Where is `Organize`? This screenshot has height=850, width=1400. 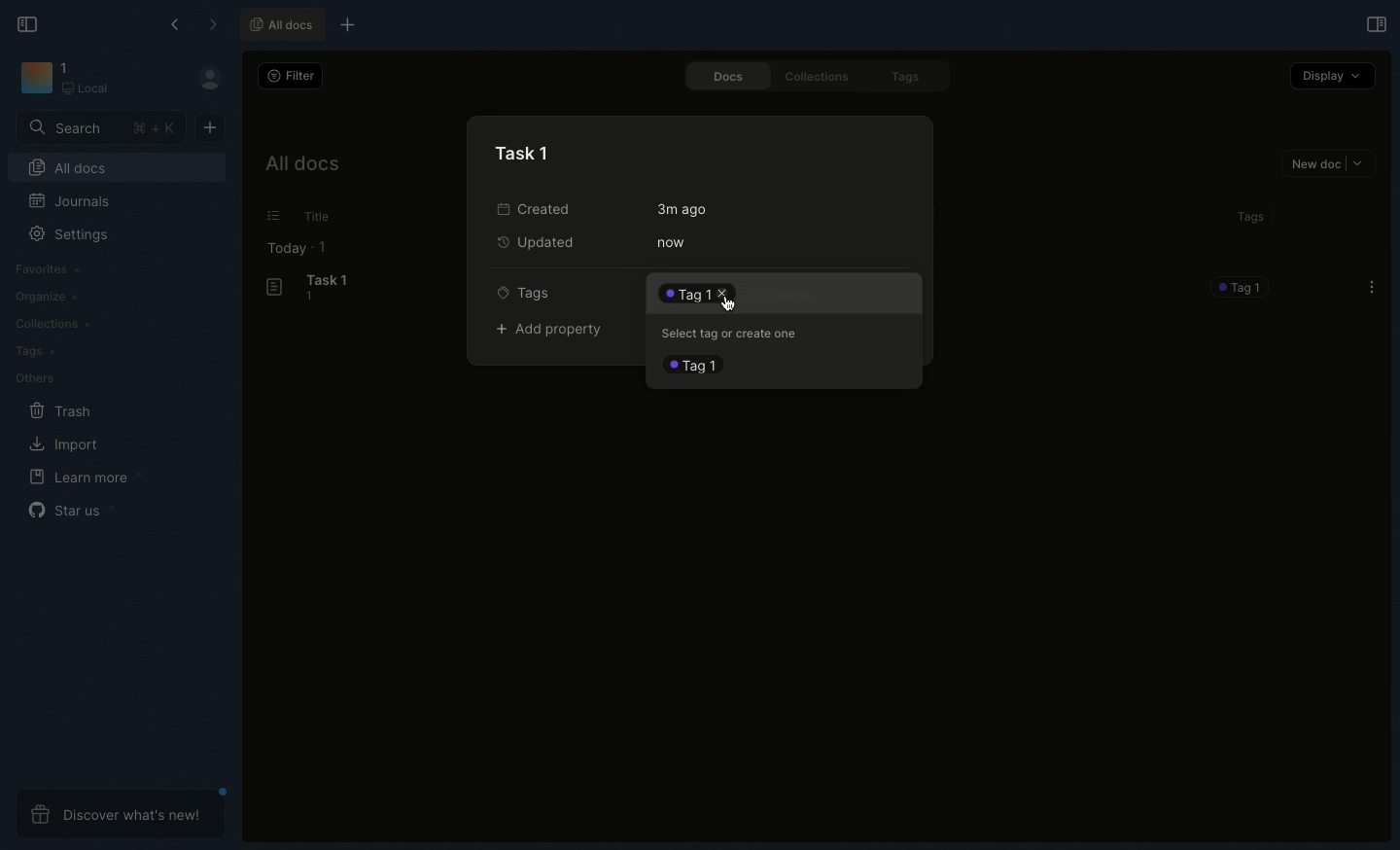
Organize is located at coordinates (48, 298).